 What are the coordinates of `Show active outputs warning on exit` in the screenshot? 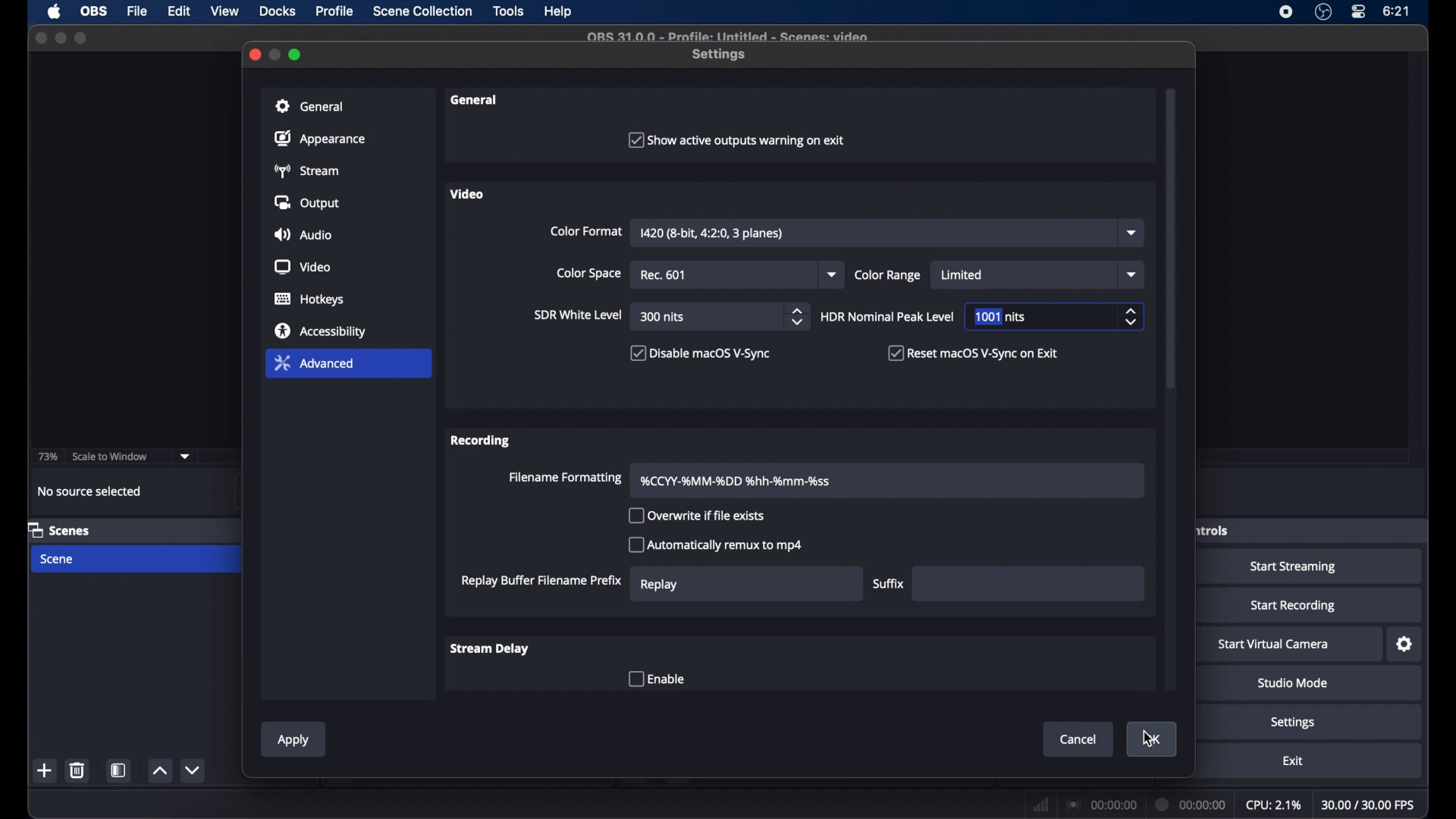 It's located at (739, 140).